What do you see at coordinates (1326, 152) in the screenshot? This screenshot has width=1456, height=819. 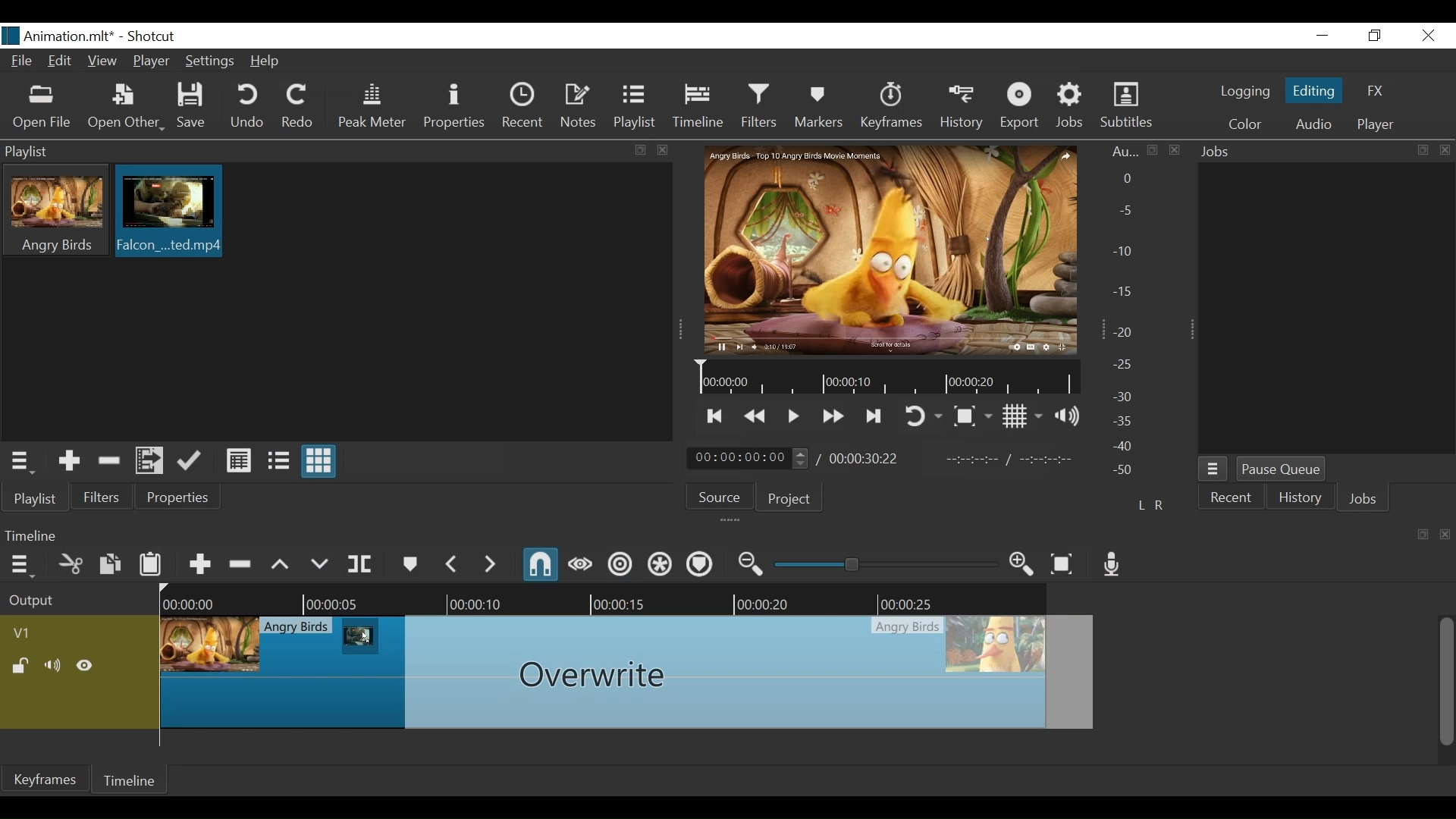 I see `Jobs Panel` at bounding box center [1326, 152].